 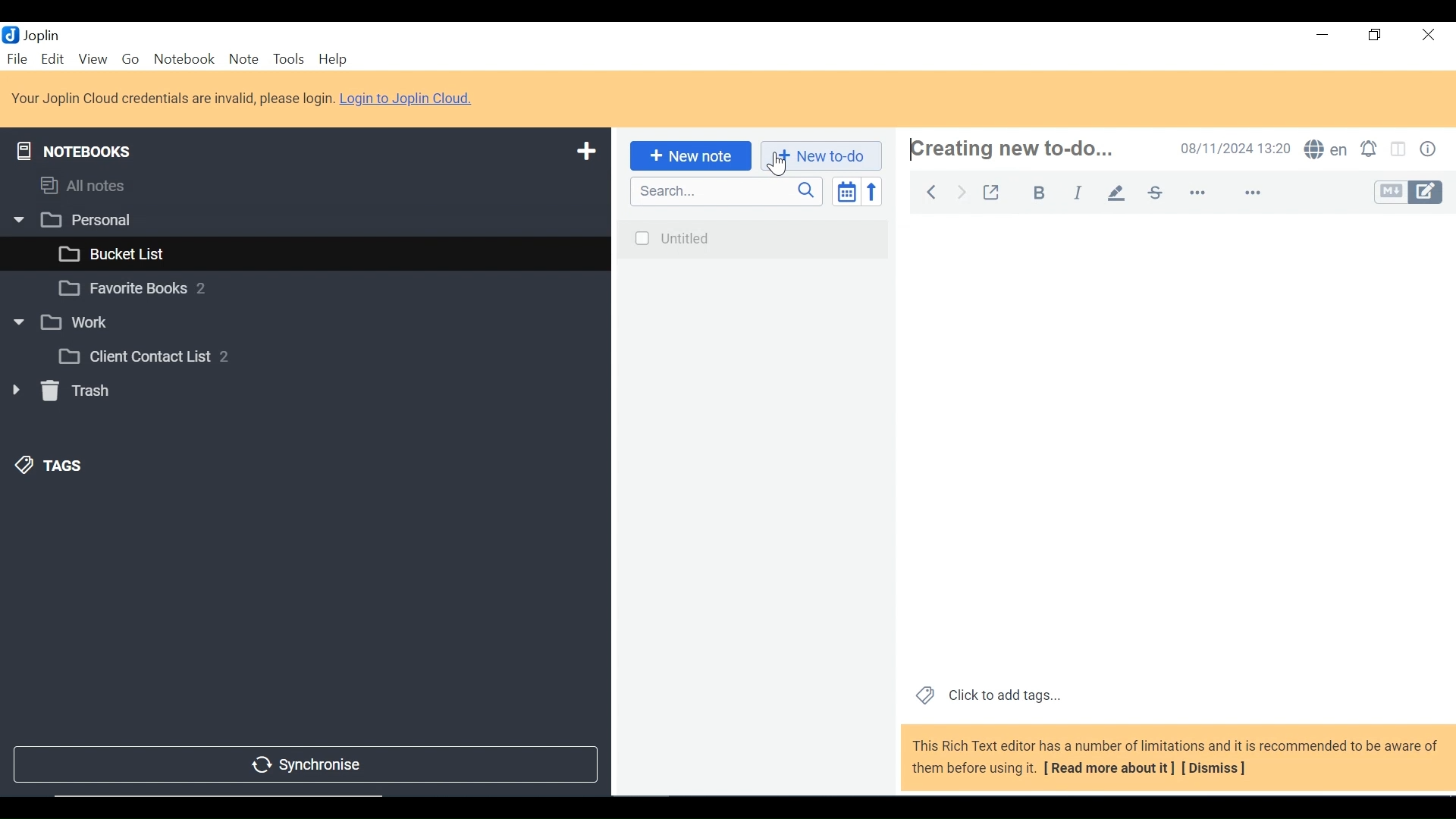 I want to click on Notebooks and Tags Display, so click(x=303, y=185).